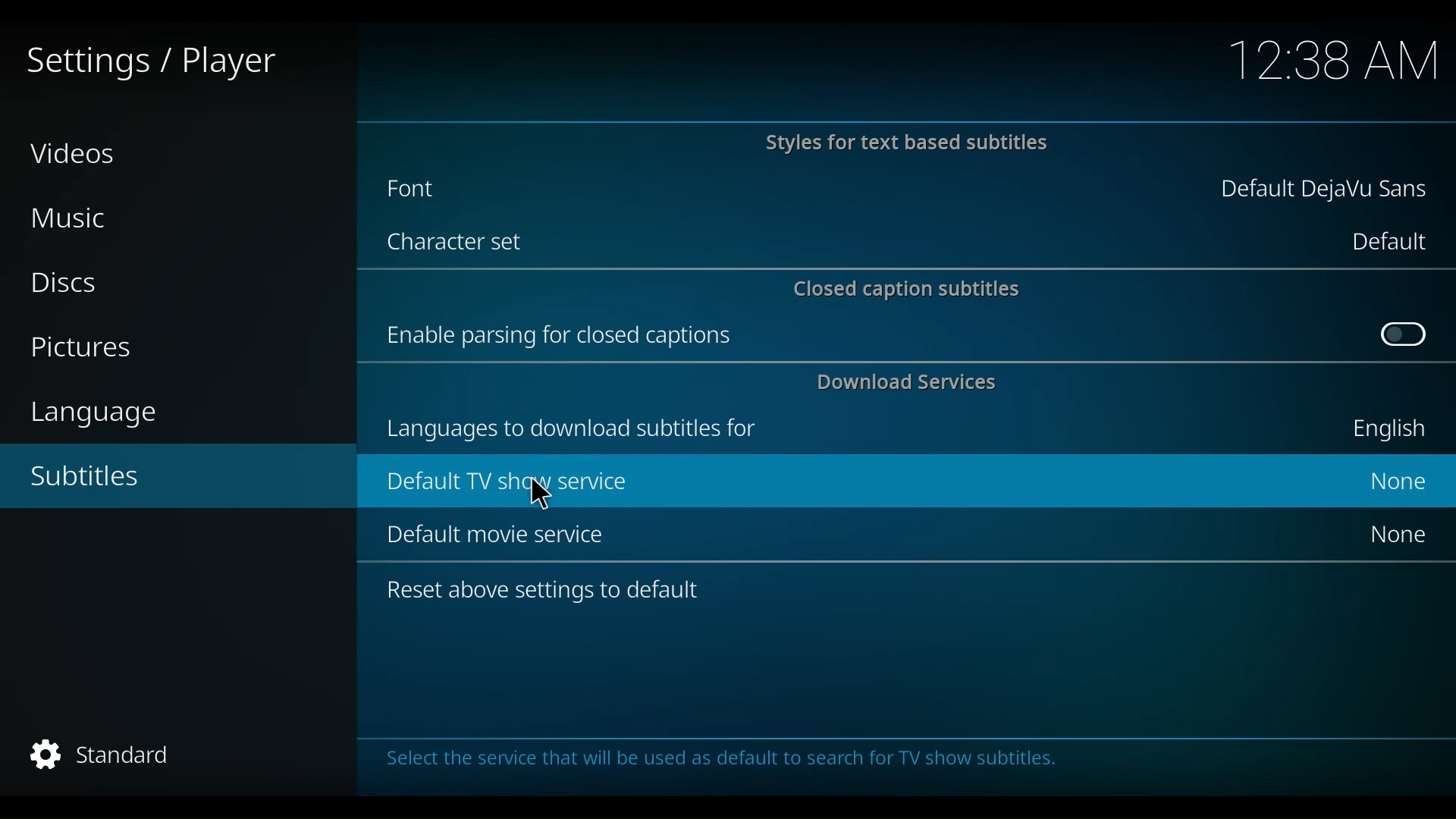 The width and height of the screenshot is (1456, 819). I want to click on time, so click(1335, 62).